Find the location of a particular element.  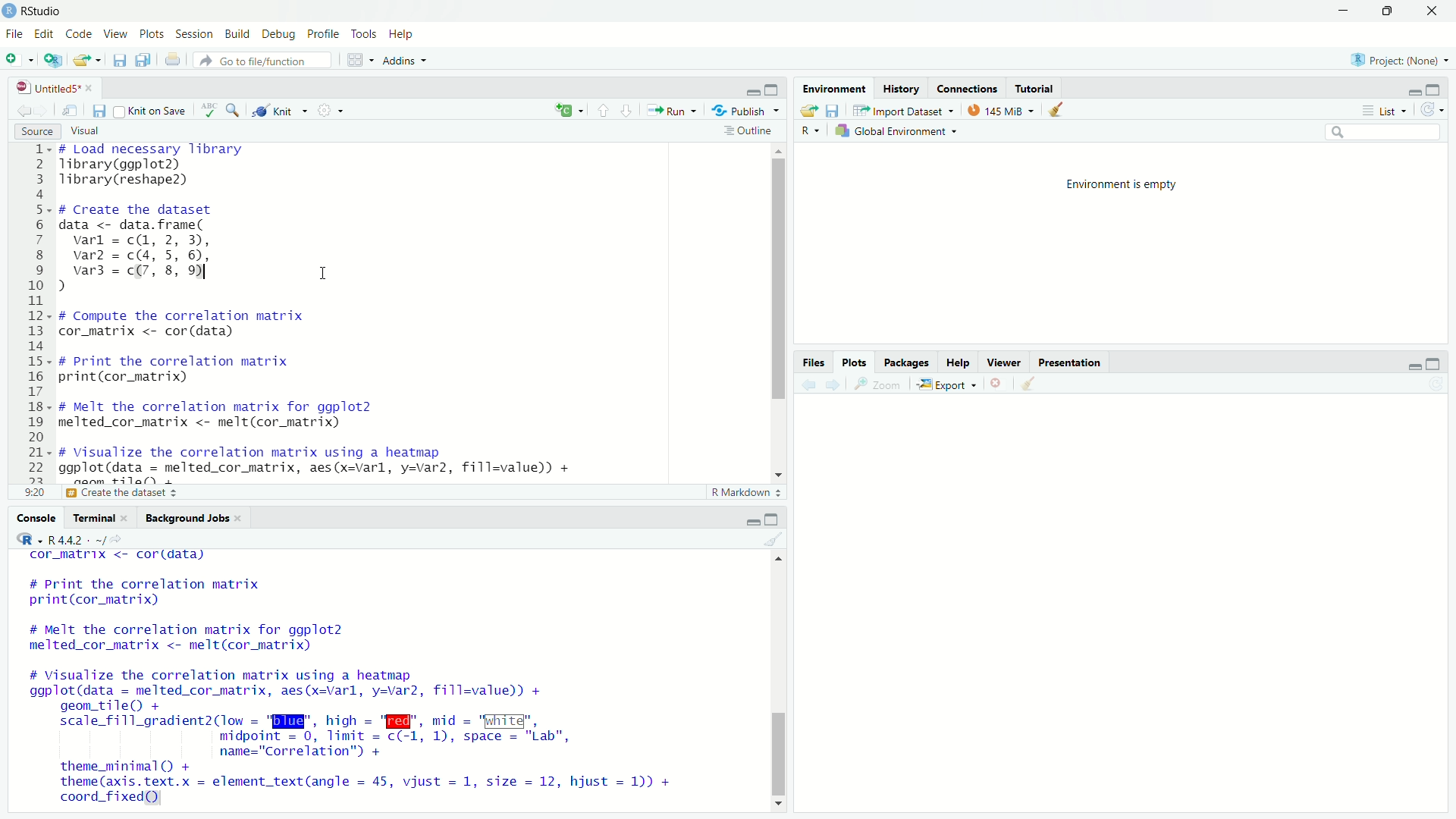

load workspace is located at coordinates (808, 110).